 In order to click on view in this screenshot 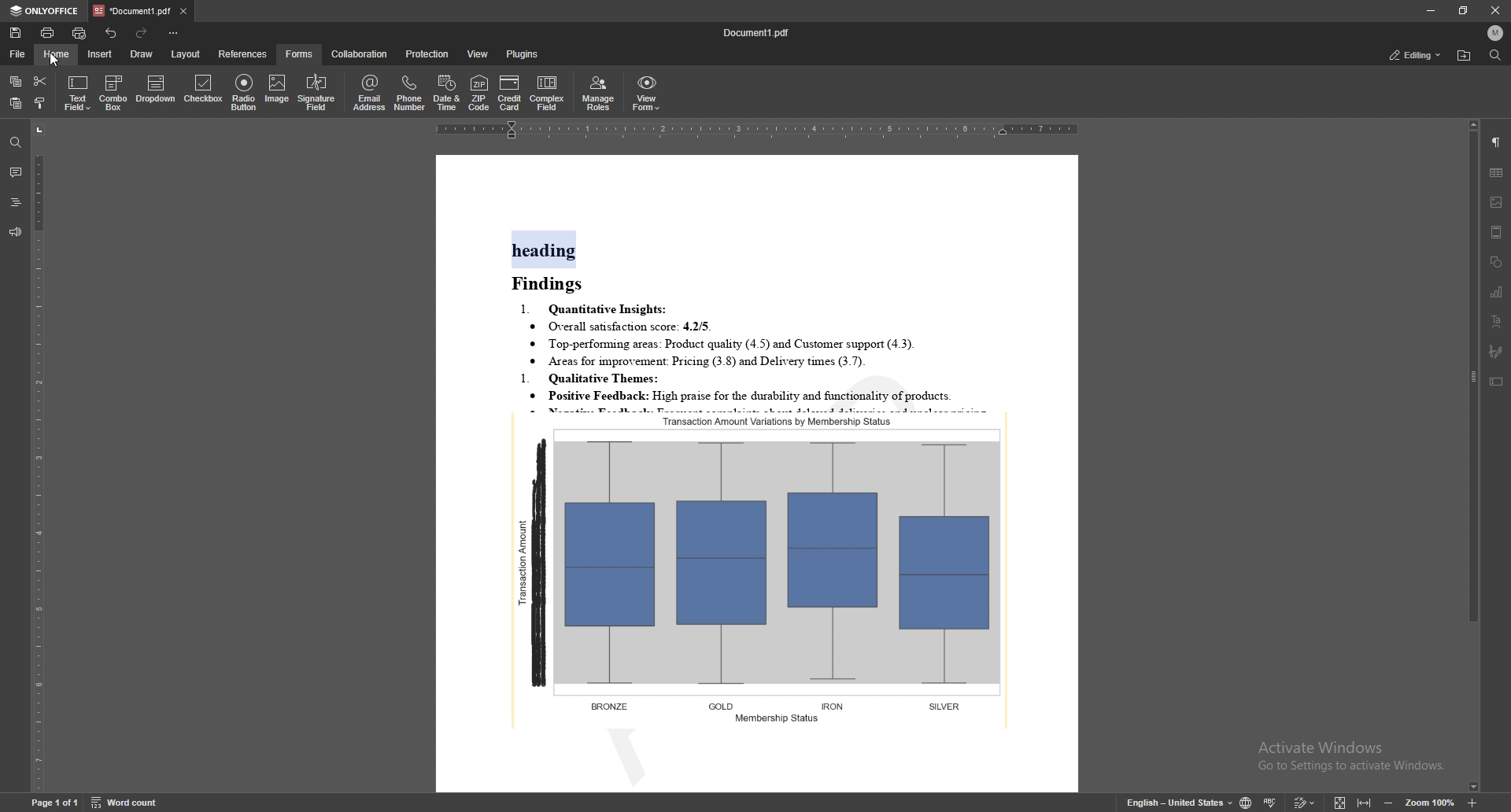, I will do `click(479, 54)`.